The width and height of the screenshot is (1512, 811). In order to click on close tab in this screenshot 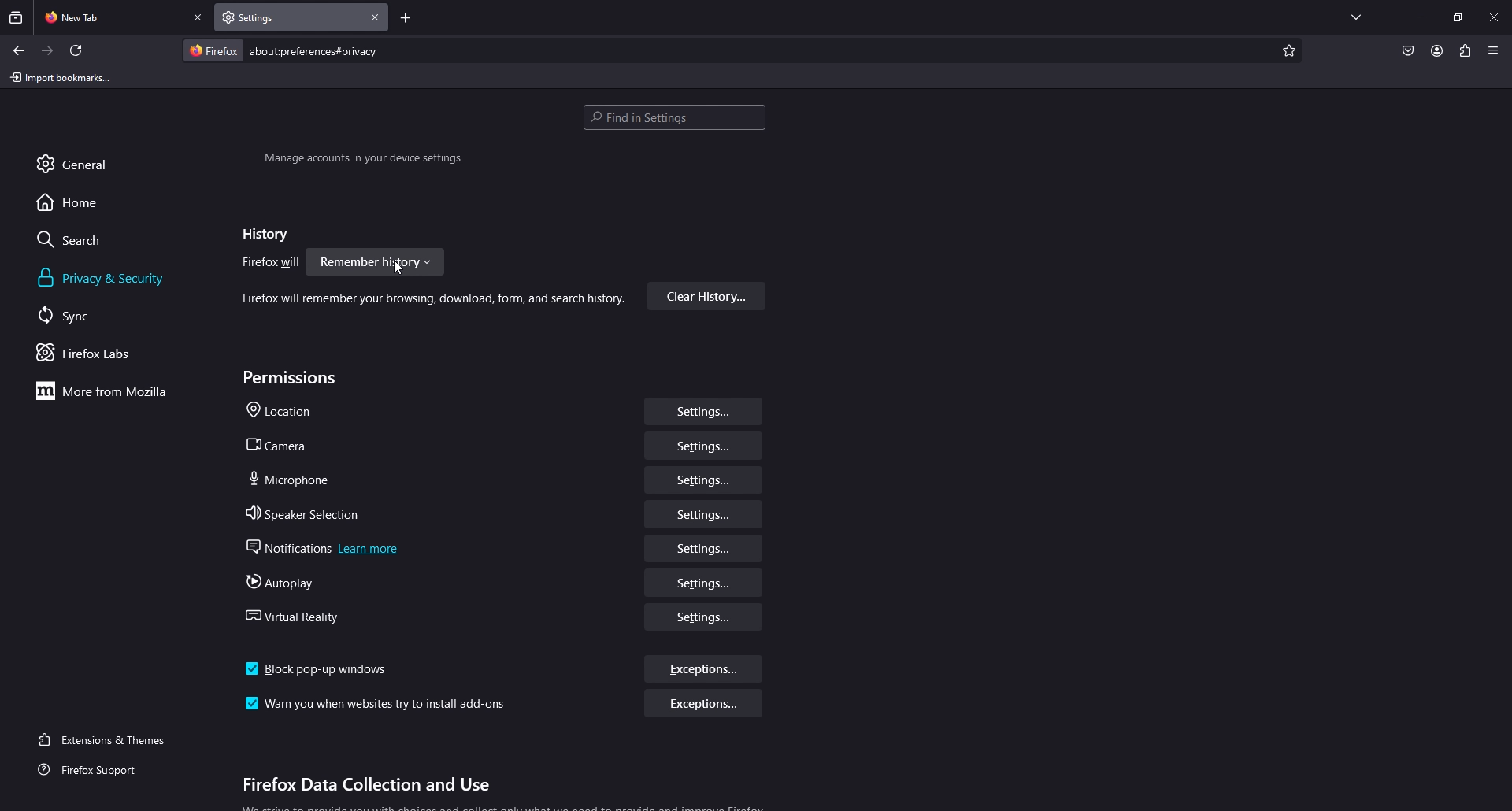, I will do `click(199, 18)`.